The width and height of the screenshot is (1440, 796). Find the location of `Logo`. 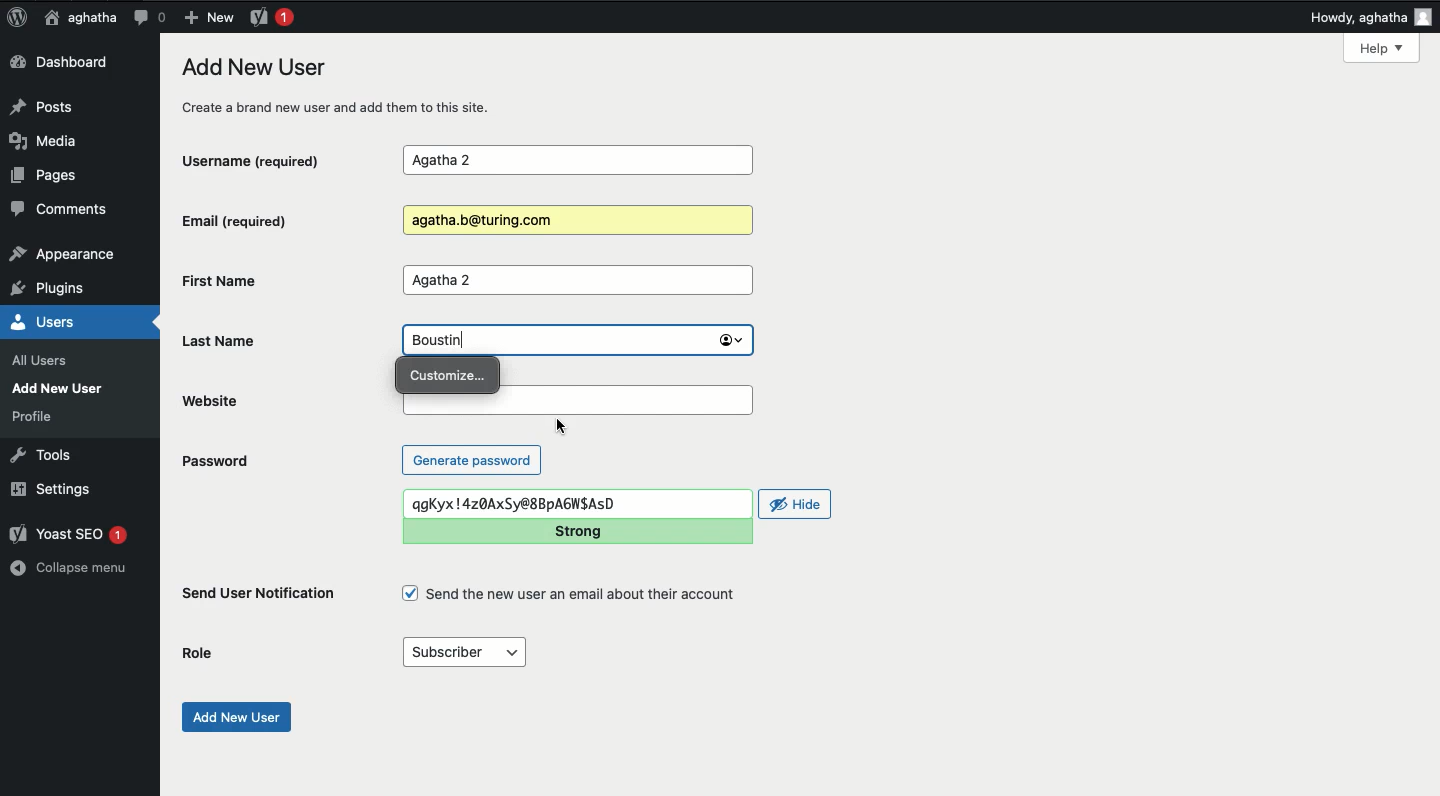

Logo is located at coordinates (17, 18).